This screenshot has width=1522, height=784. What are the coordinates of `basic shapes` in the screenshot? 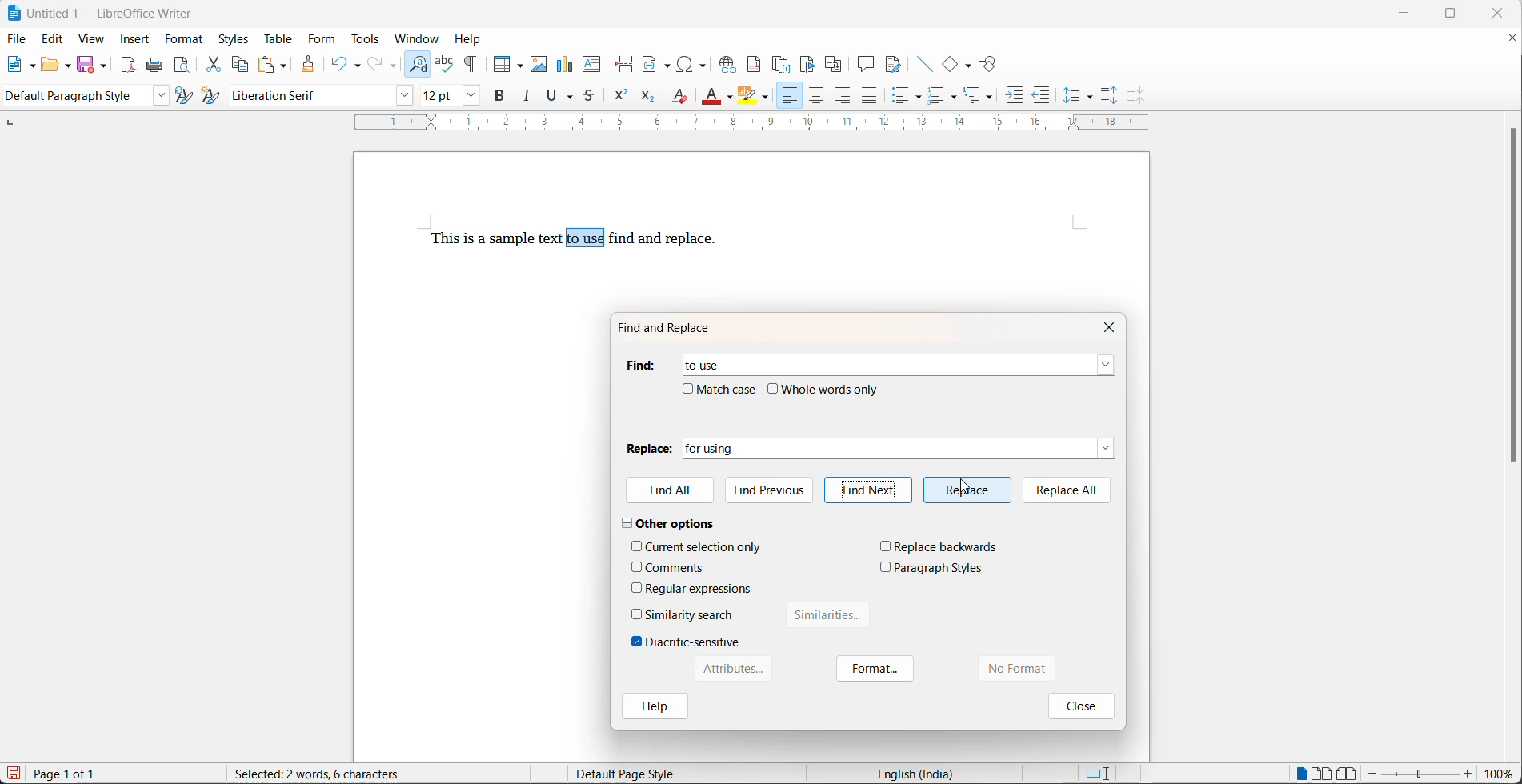 It's located at (951, 64).